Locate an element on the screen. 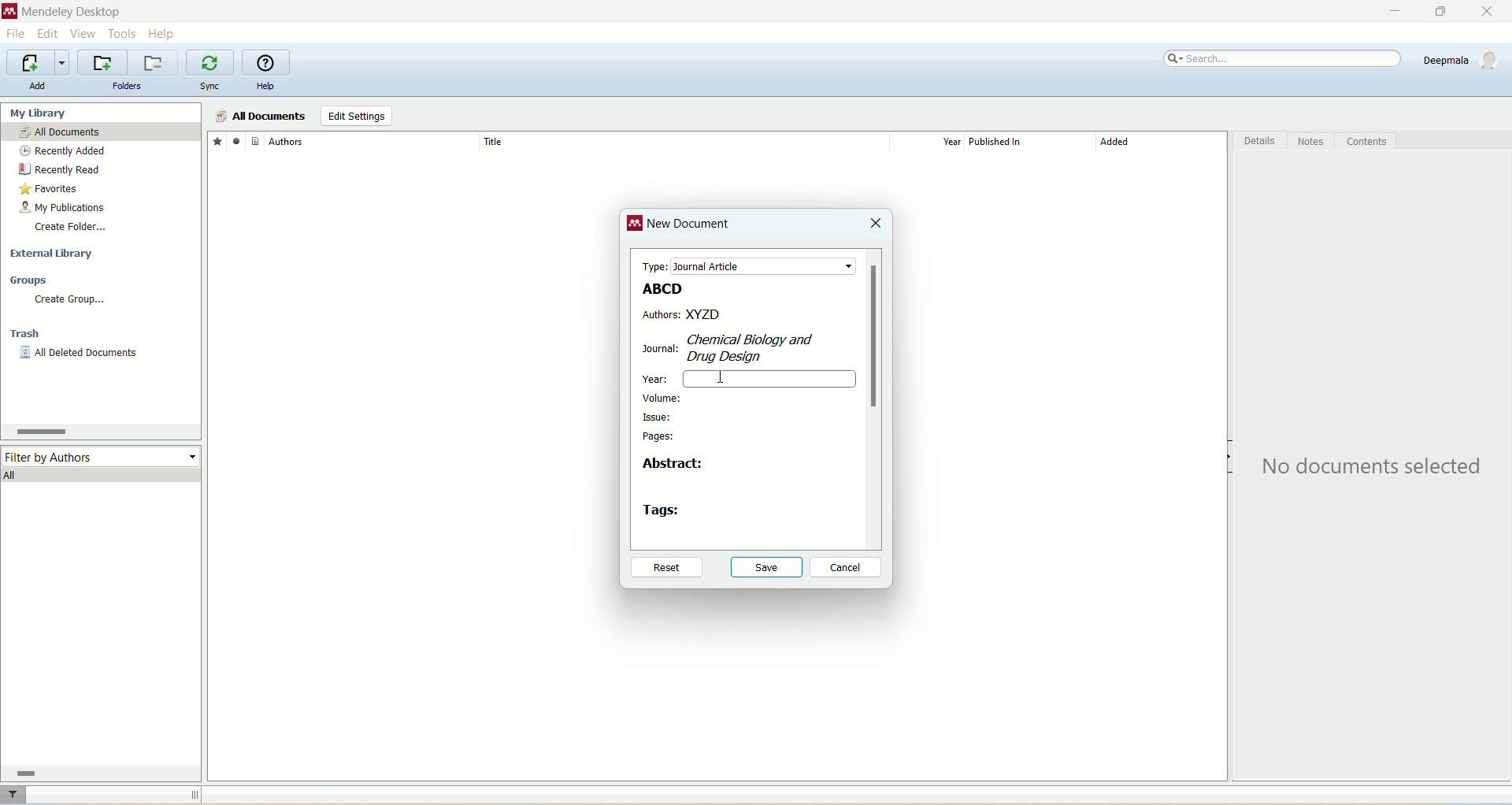 The image size is (1512, 805). published in is located at coordinates (1024, 142).